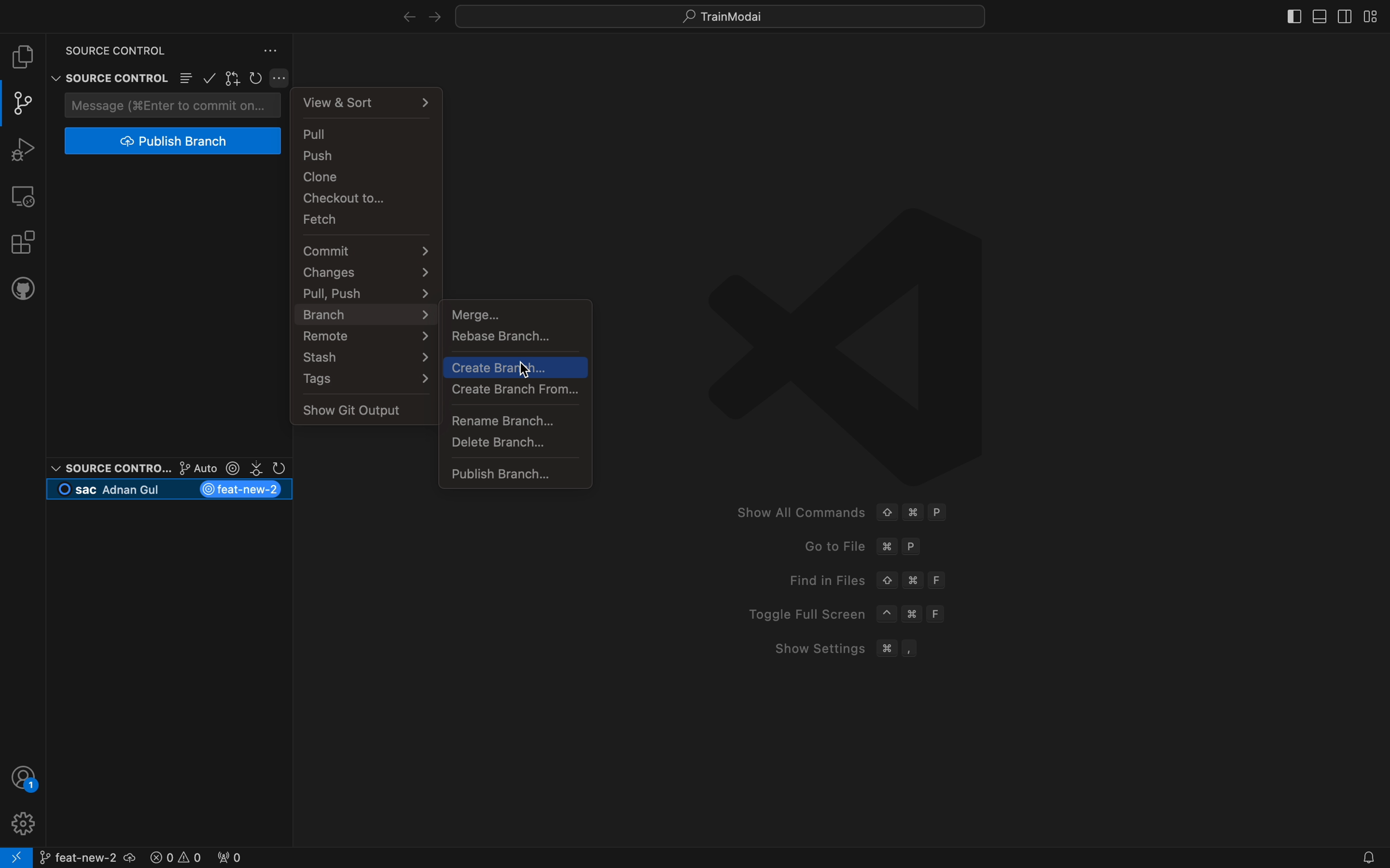  What do you see at coordinates (257, 79) in the screenshot?
I see `restart` at bounding box center [257, 79].